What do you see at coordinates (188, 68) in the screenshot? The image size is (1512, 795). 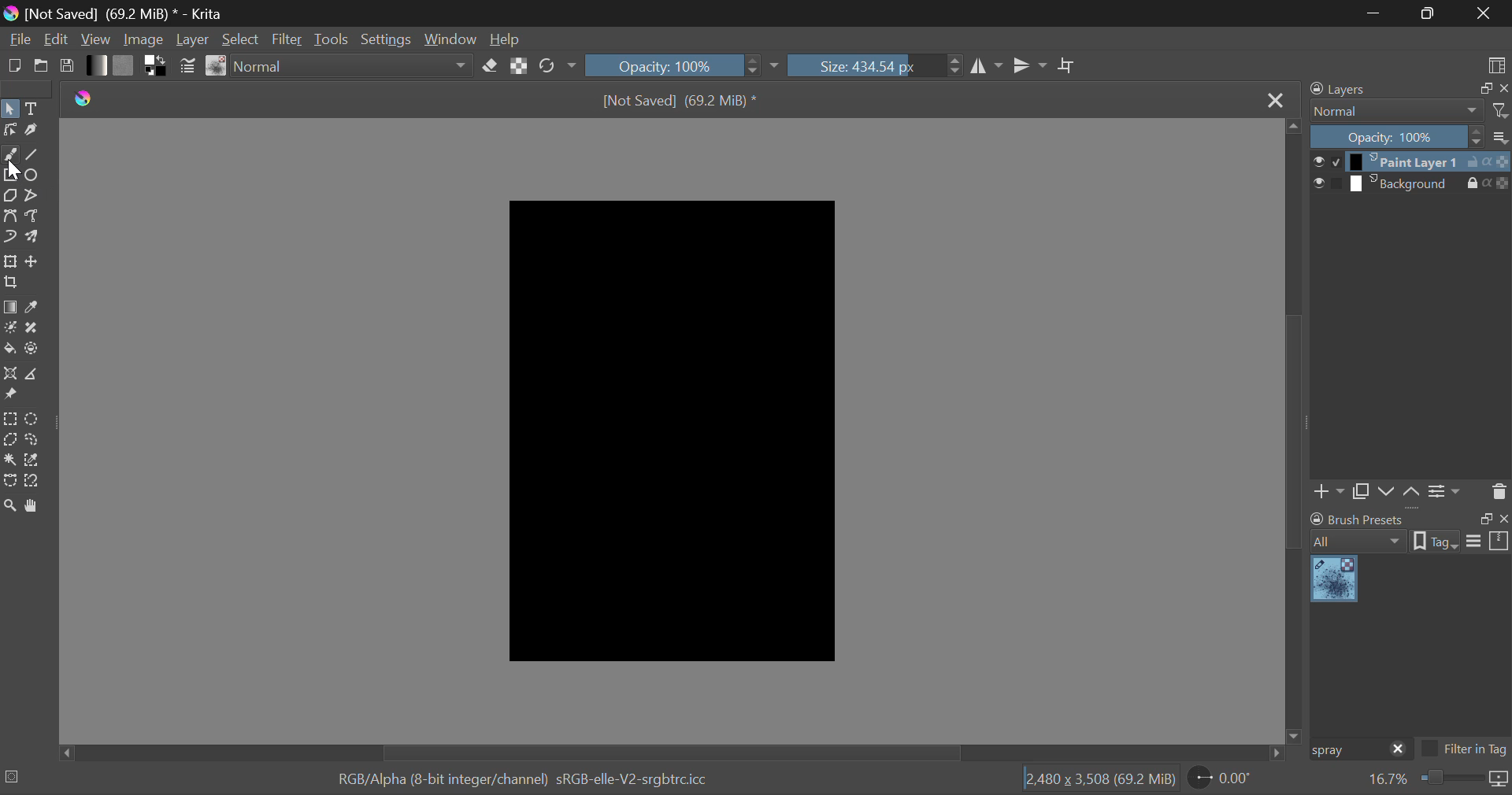 I see `Brush Settings` at bounding box center [188, 68].